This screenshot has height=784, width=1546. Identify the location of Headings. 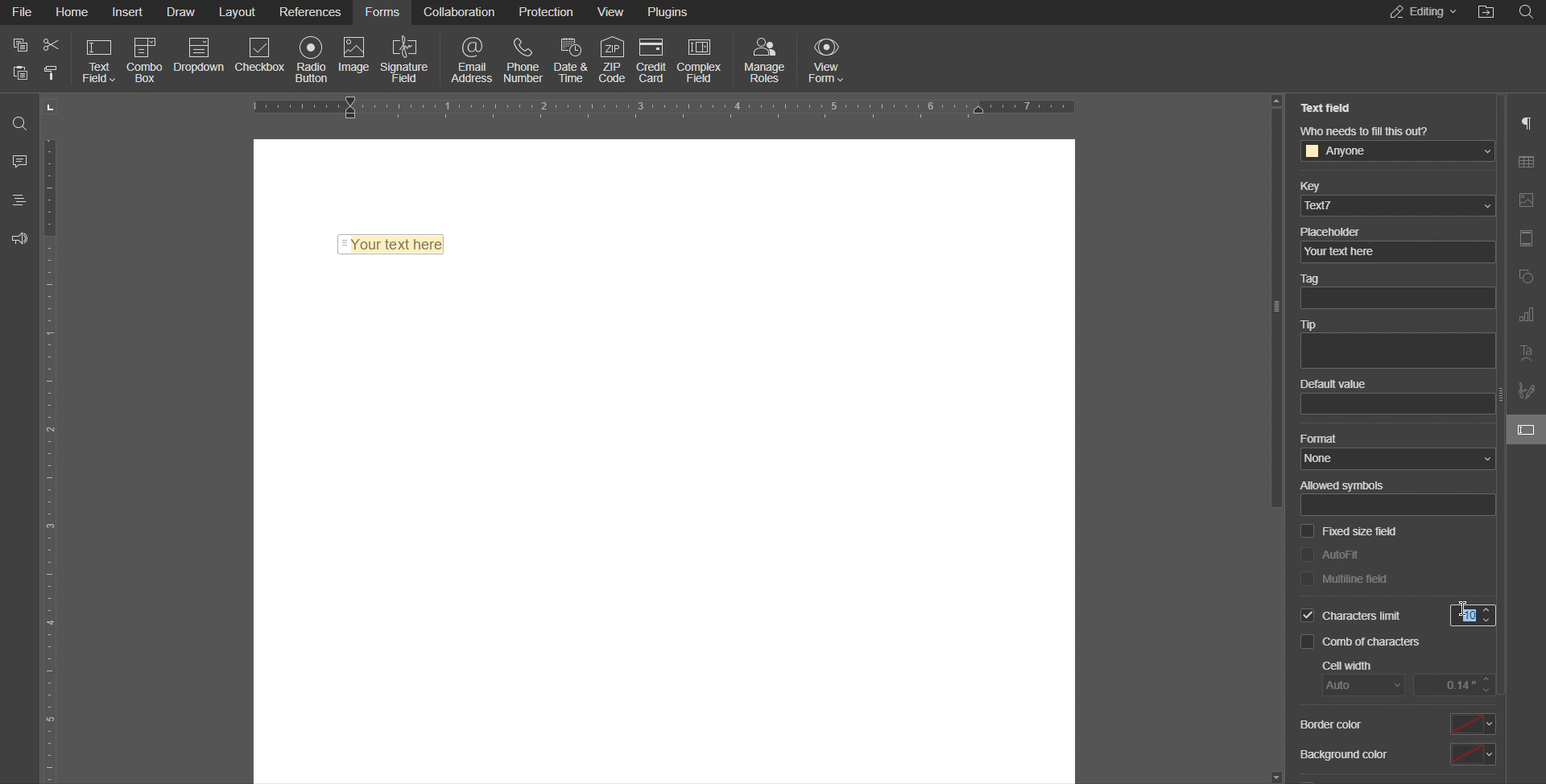
(19, 200).